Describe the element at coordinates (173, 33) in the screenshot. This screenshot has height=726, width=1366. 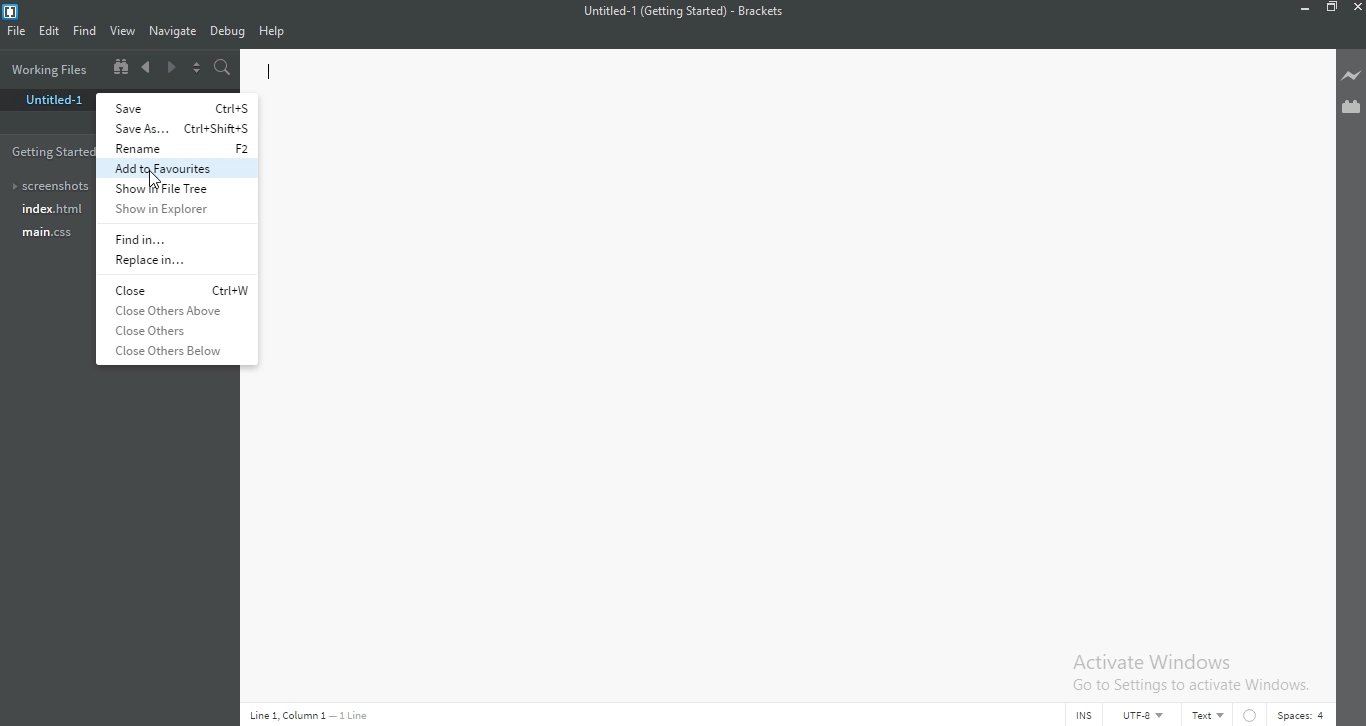
I see `Navigate` at that location.